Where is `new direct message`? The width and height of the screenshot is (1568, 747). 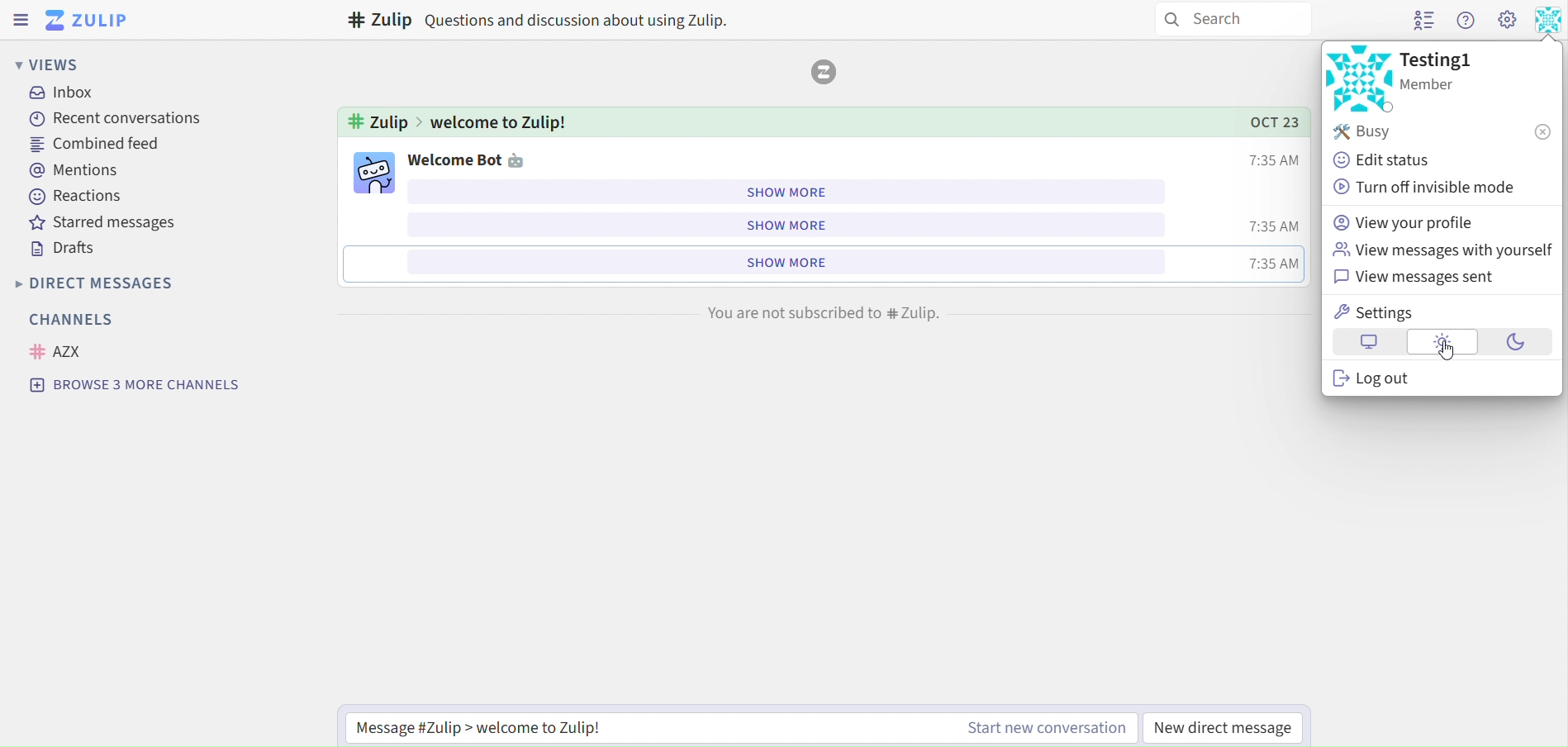 new direct message is located at coordinates (1224, 727).